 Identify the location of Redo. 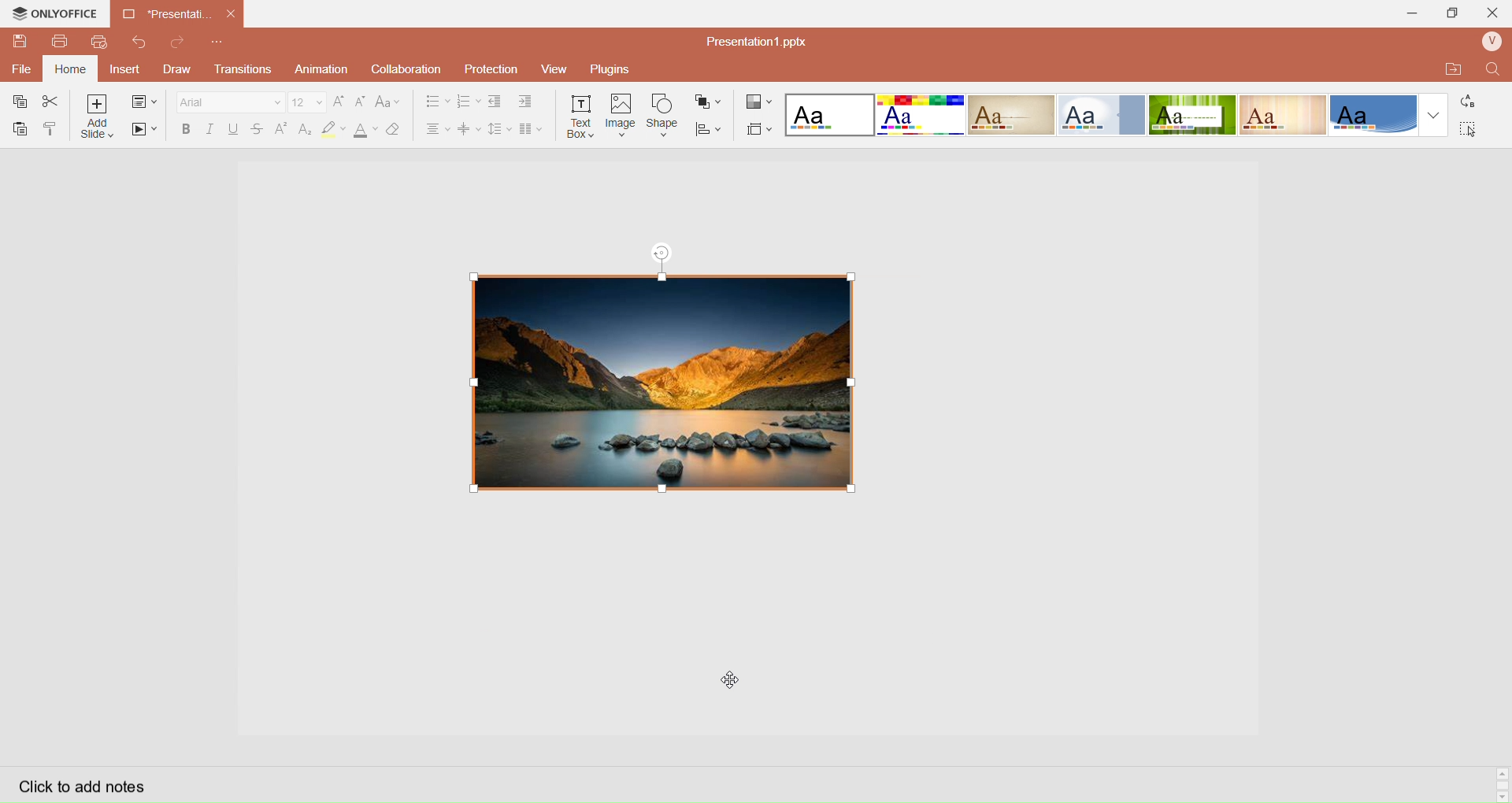
(140, 43).